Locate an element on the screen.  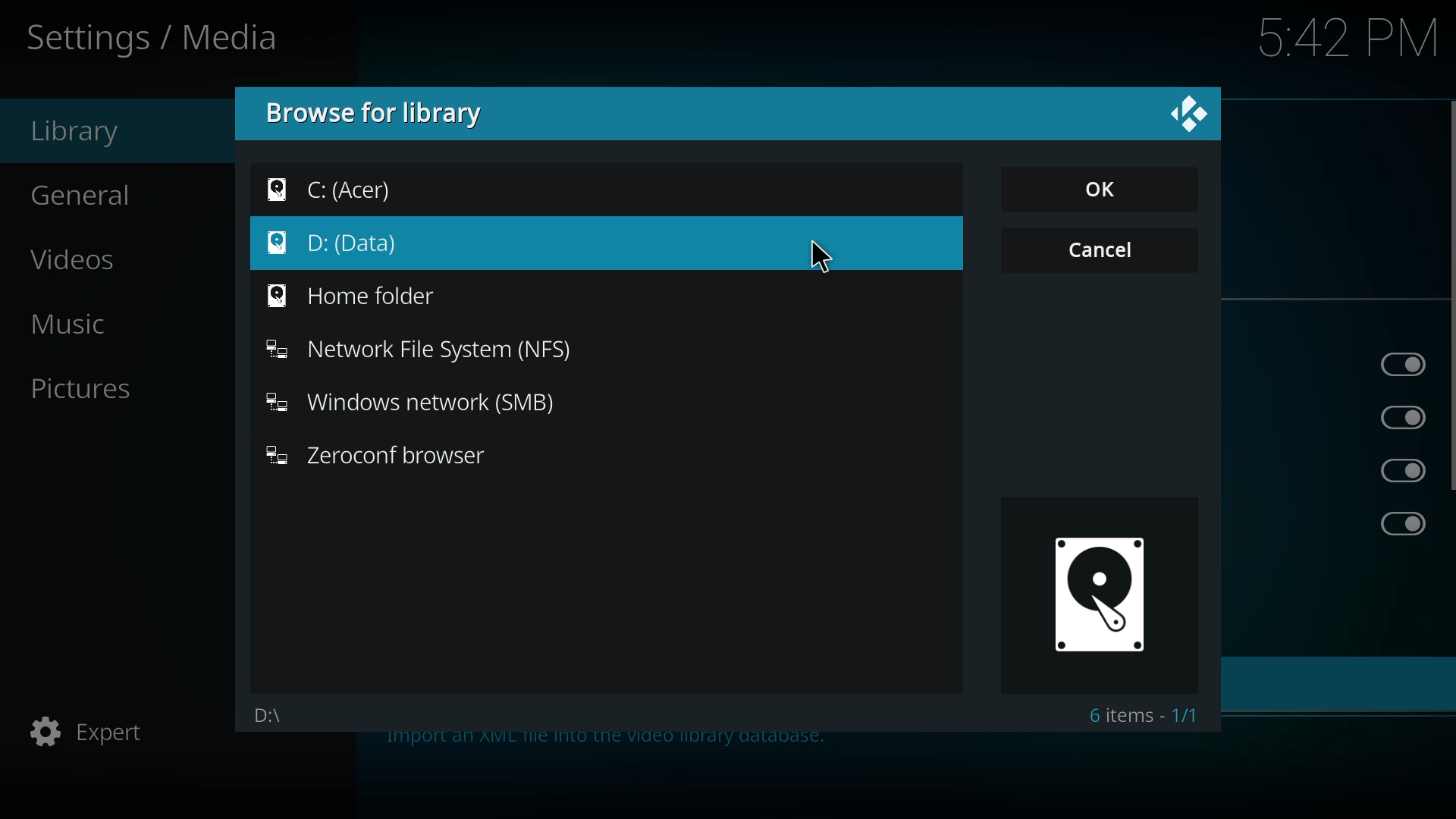
enabled is located at coordinates (1404, 367).